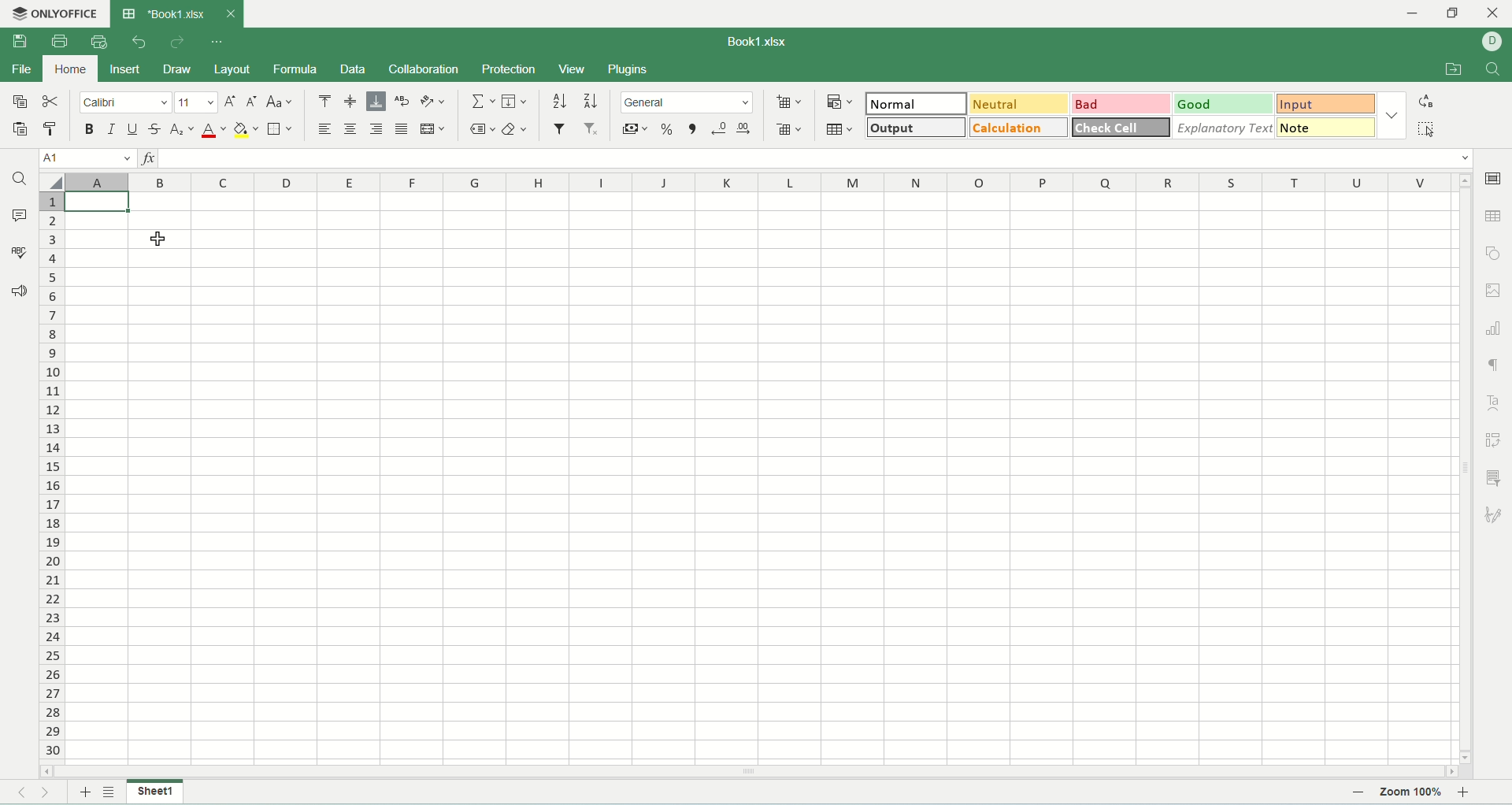  I want to click on align right, so click(376, 128).